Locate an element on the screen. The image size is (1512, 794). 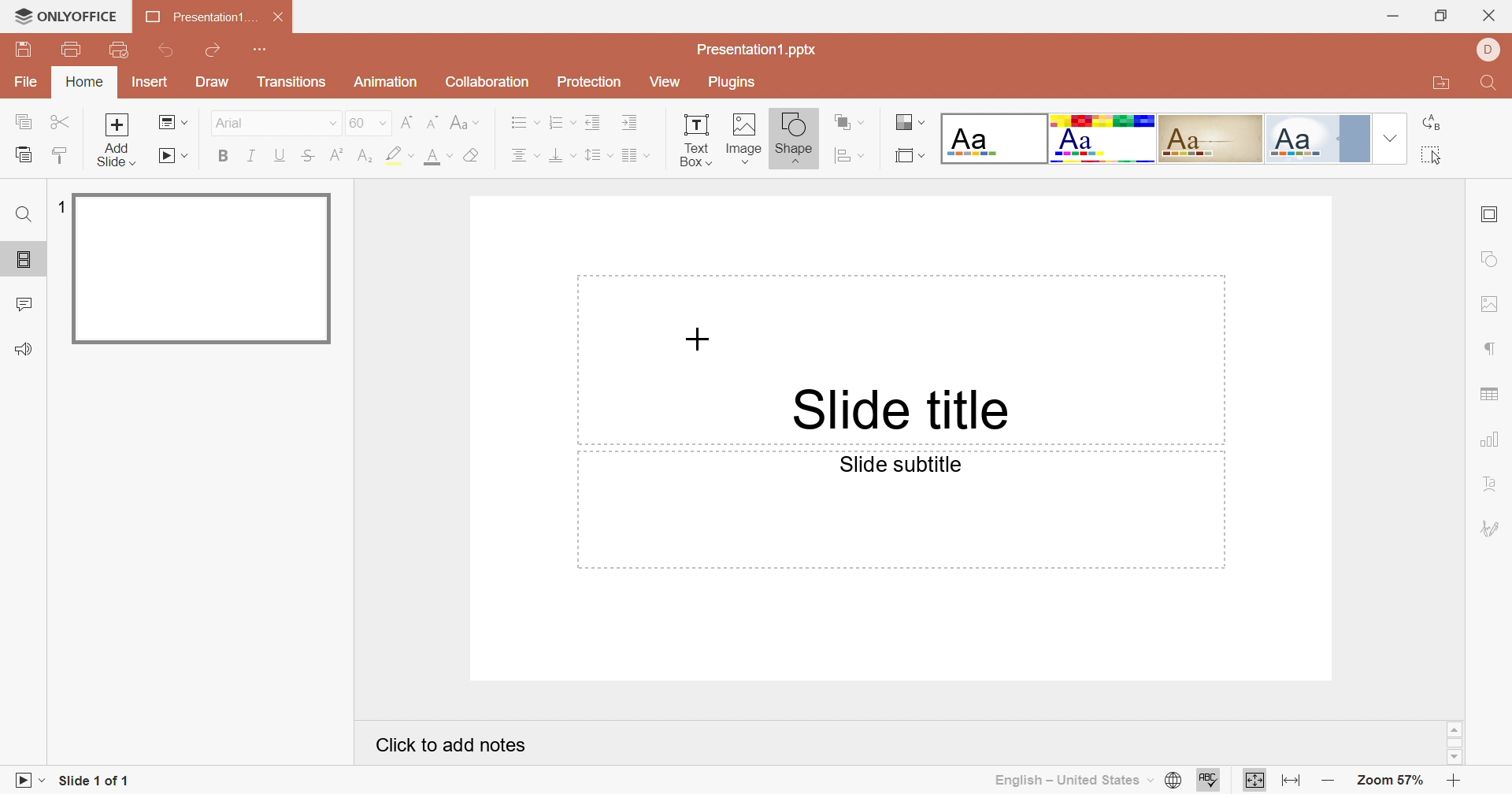
Numbering is located at coordinates (558, 121).